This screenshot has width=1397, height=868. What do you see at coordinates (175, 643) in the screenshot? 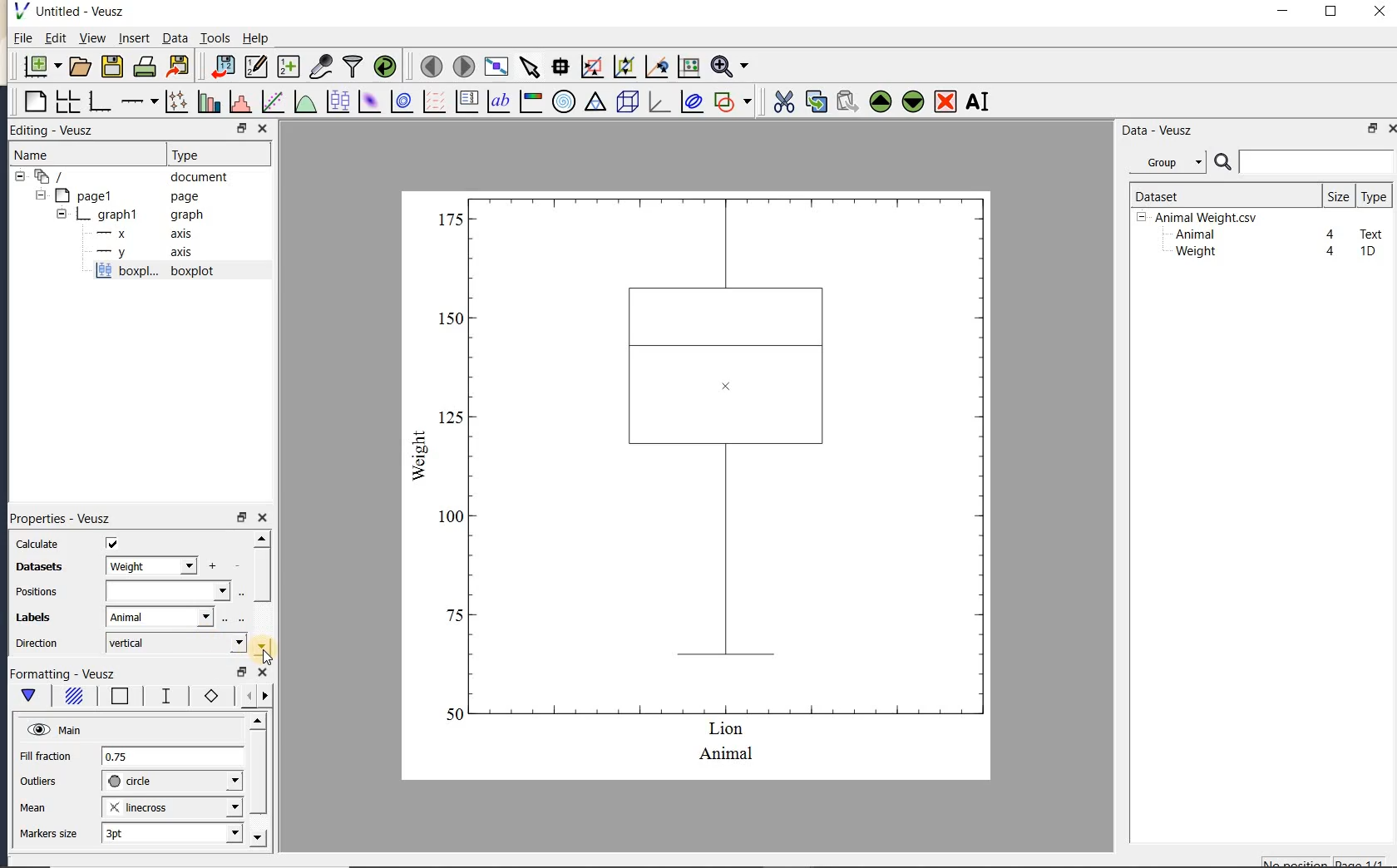
I see `vertical` at bounding box center [175, 643].